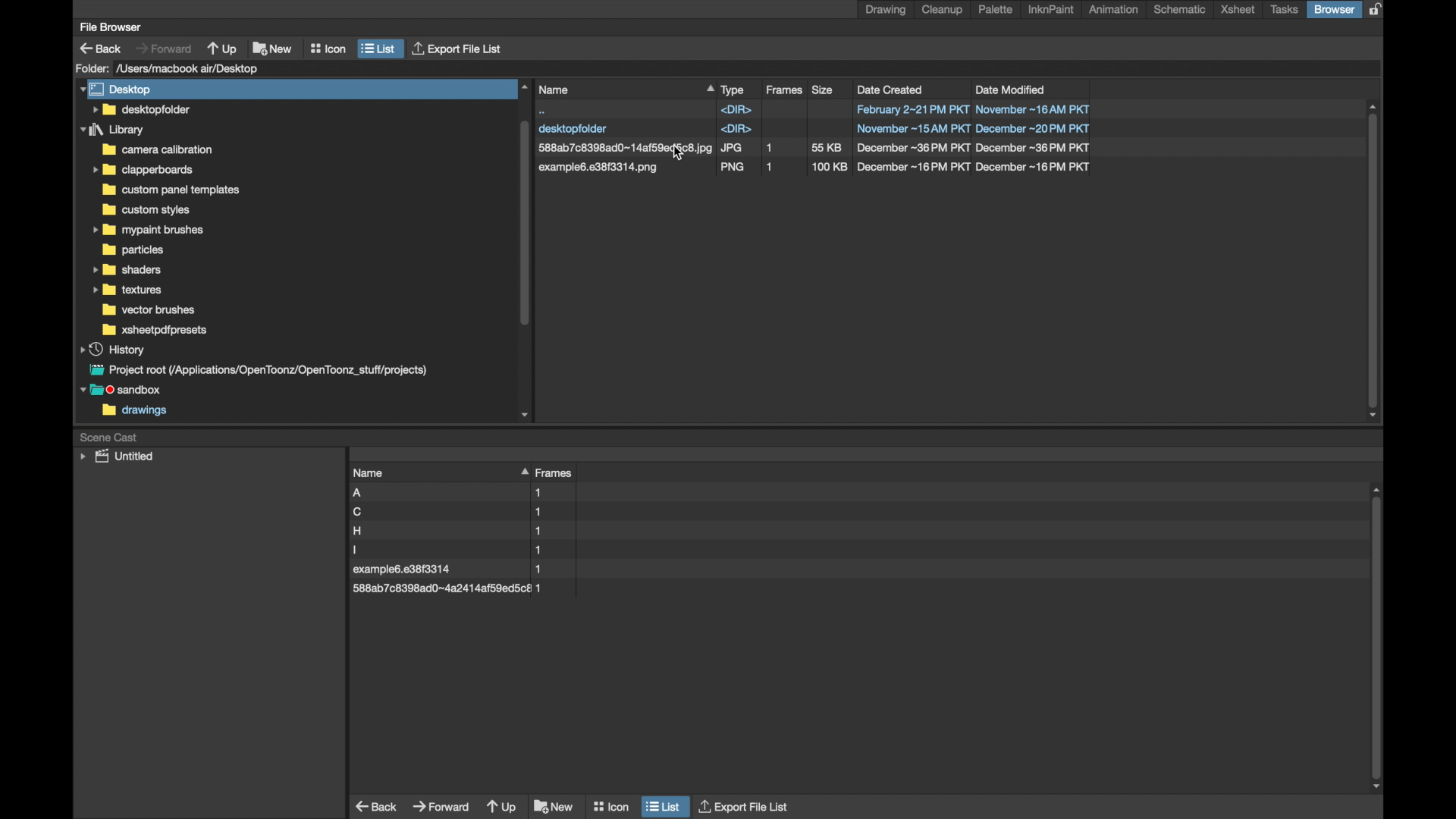 Image resolution: width=1456 pixels, height=819 pixels. What do you see at coordinates (824, 89) in the screenshot?
I see `size` at bounding box center [824, 89].